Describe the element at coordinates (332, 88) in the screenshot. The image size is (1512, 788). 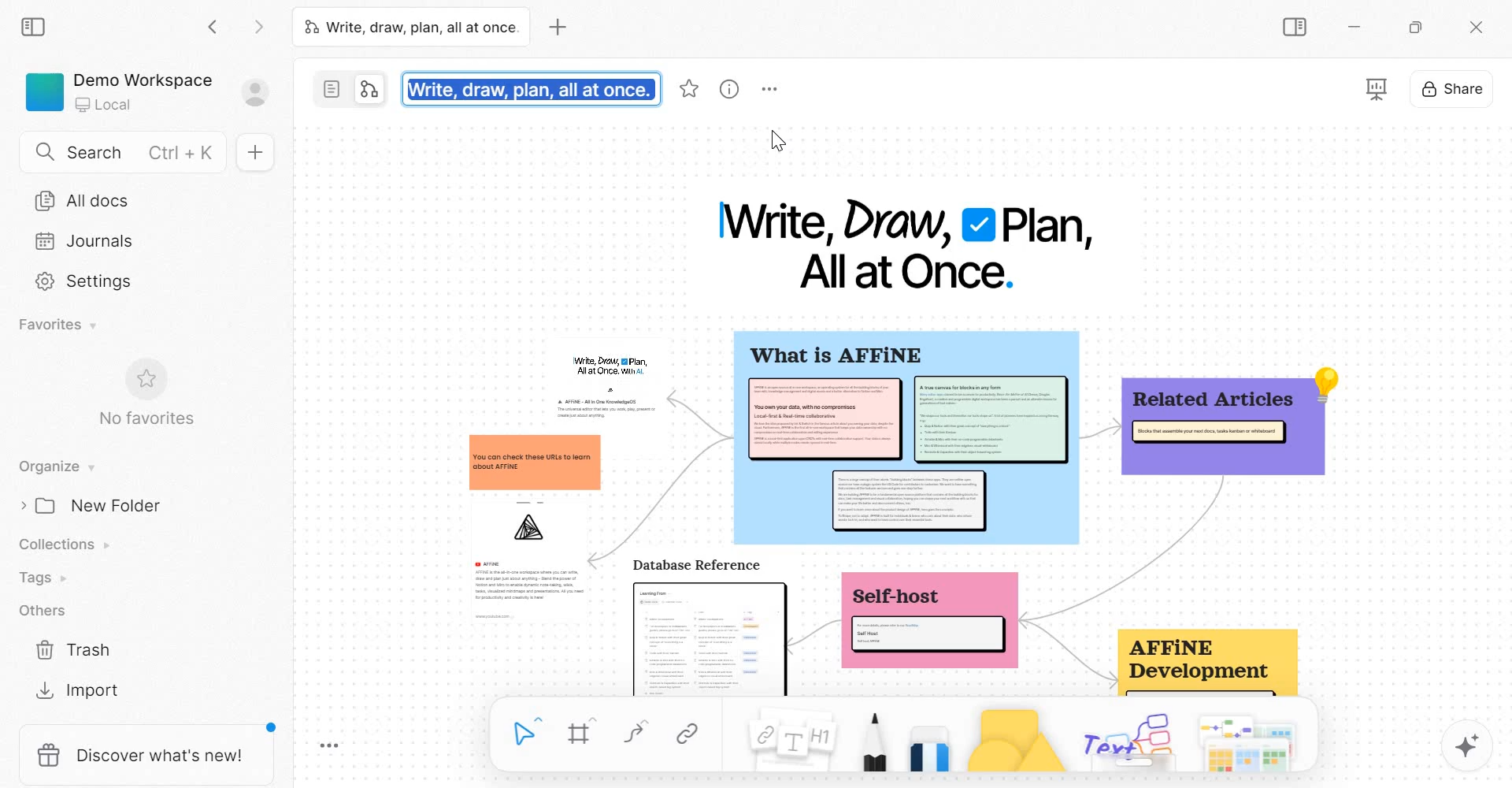
I see `page mode` at that location.